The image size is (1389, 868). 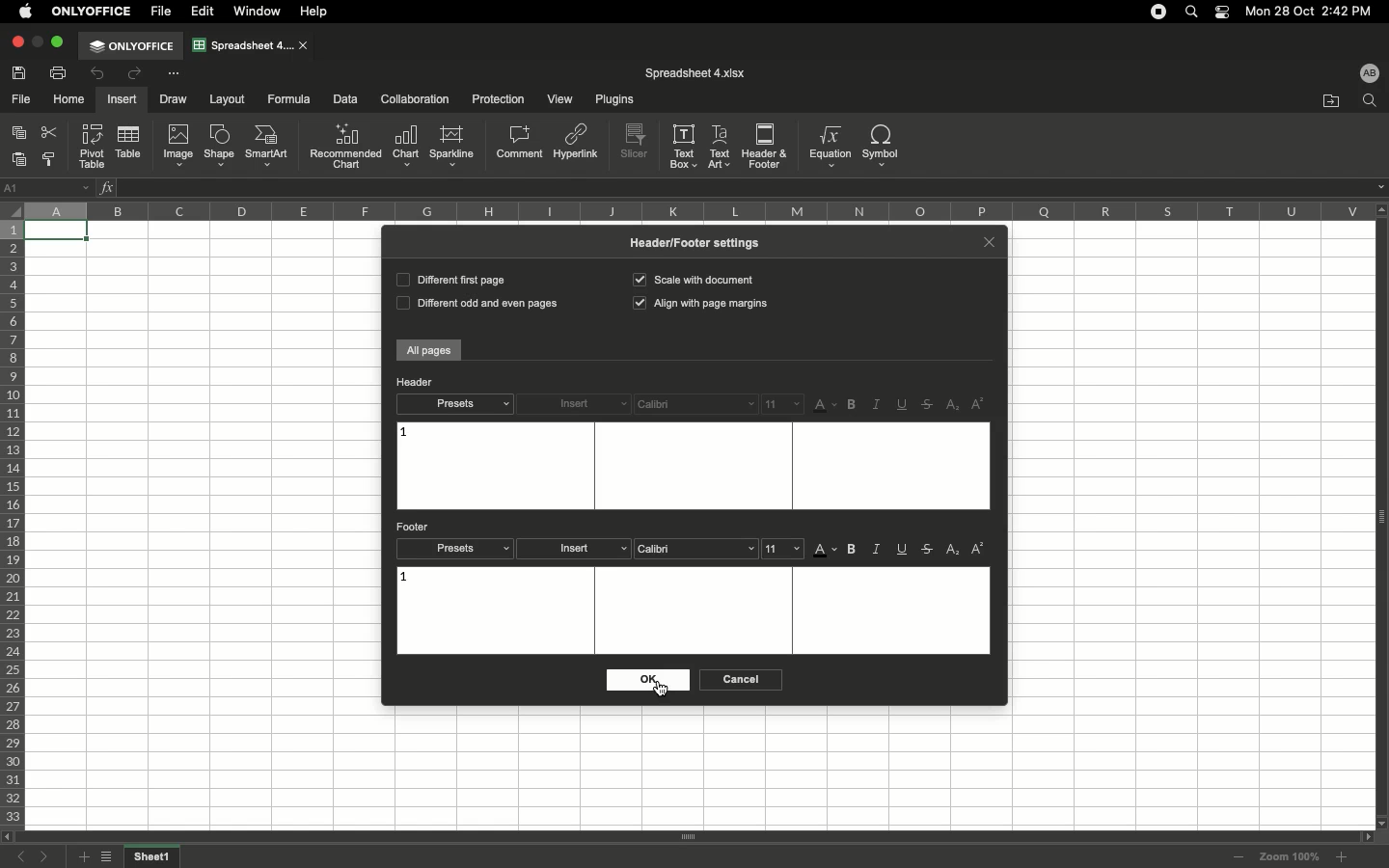 What do you see at coordinates (93, 12) in the screenshot?
I see `OnlyOffice` at bounding box center [93, 12].